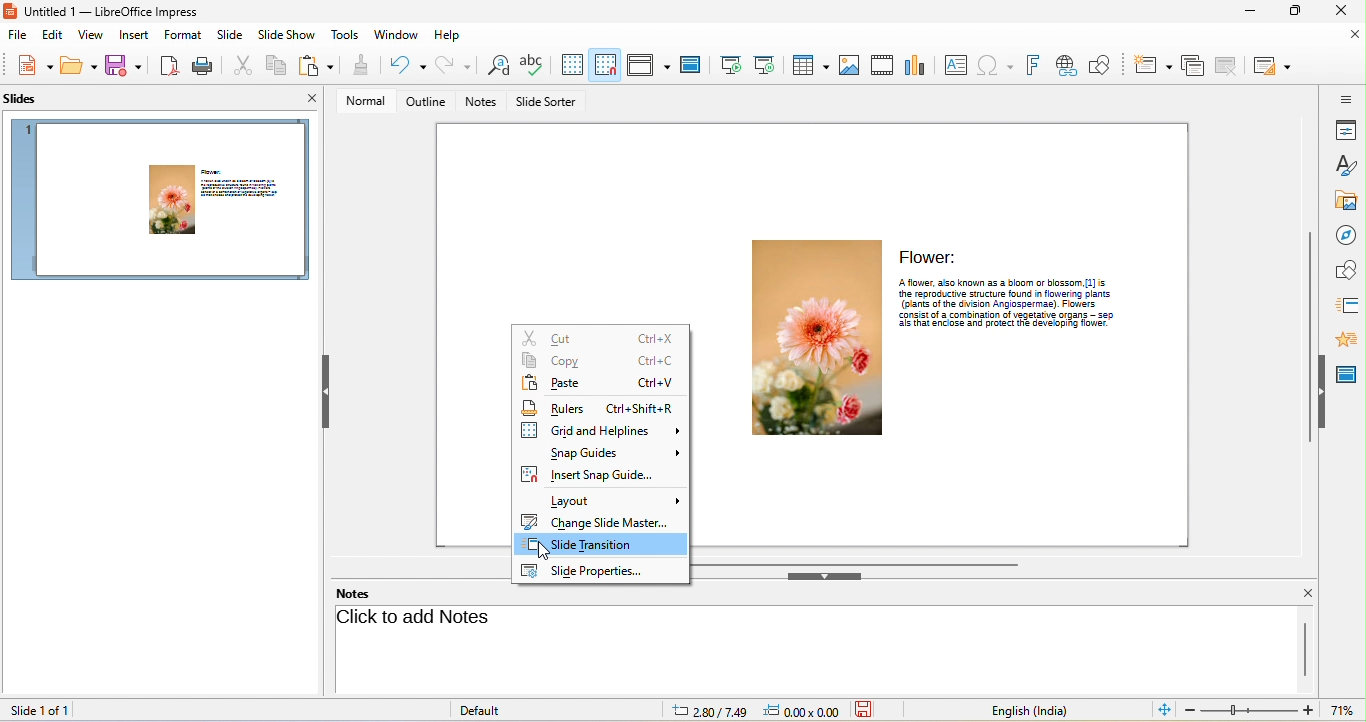  What do you see at coordinates (548, 552) in the screenshot?
I see `cursor movement` at bounding box center [548, 552].